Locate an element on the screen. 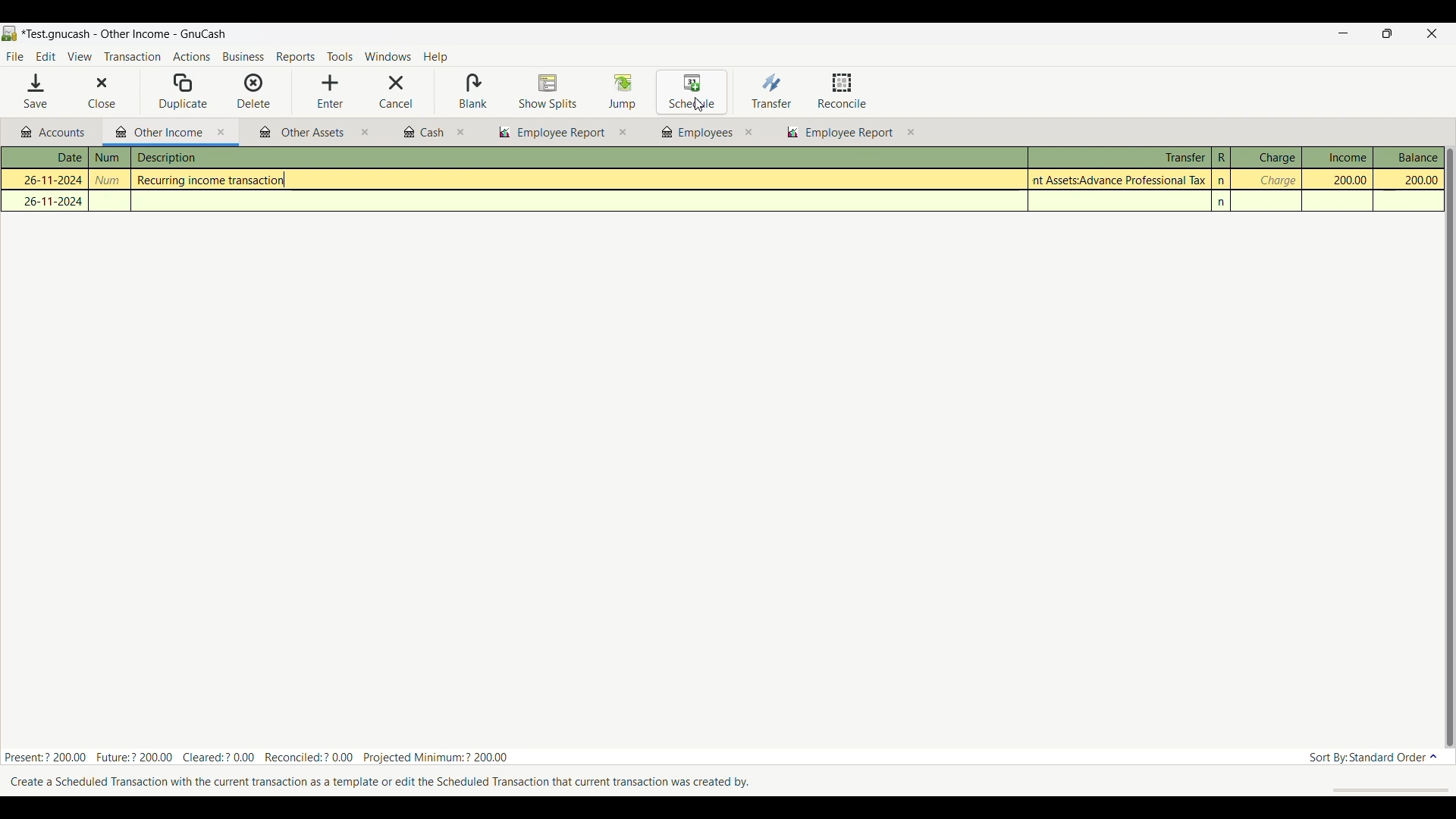 Image resolution: width=1456 pixels, height=819 pixels. n is located at coordinates (1223, 202).